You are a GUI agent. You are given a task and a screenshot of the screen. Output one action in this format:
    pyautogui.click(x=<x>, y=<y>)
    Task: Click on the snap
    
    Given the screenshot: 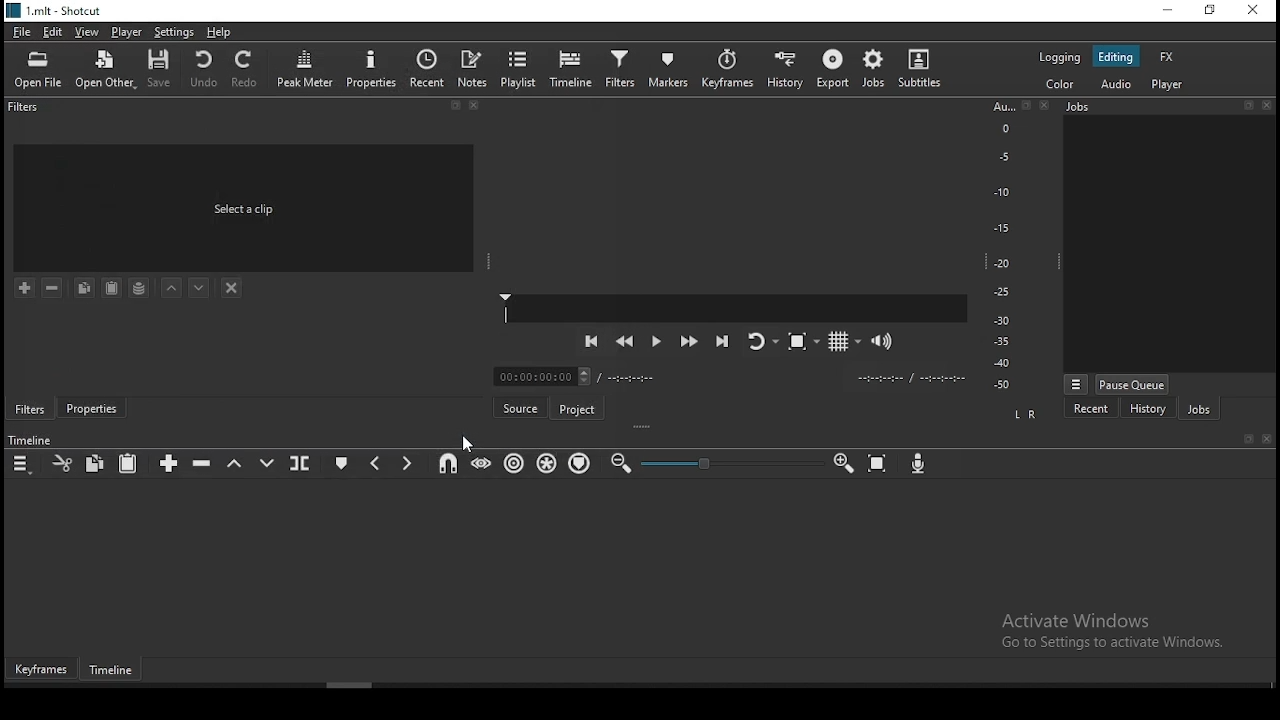 What is the action you would take?
    pyautogui.click(x=450, y=464)
    